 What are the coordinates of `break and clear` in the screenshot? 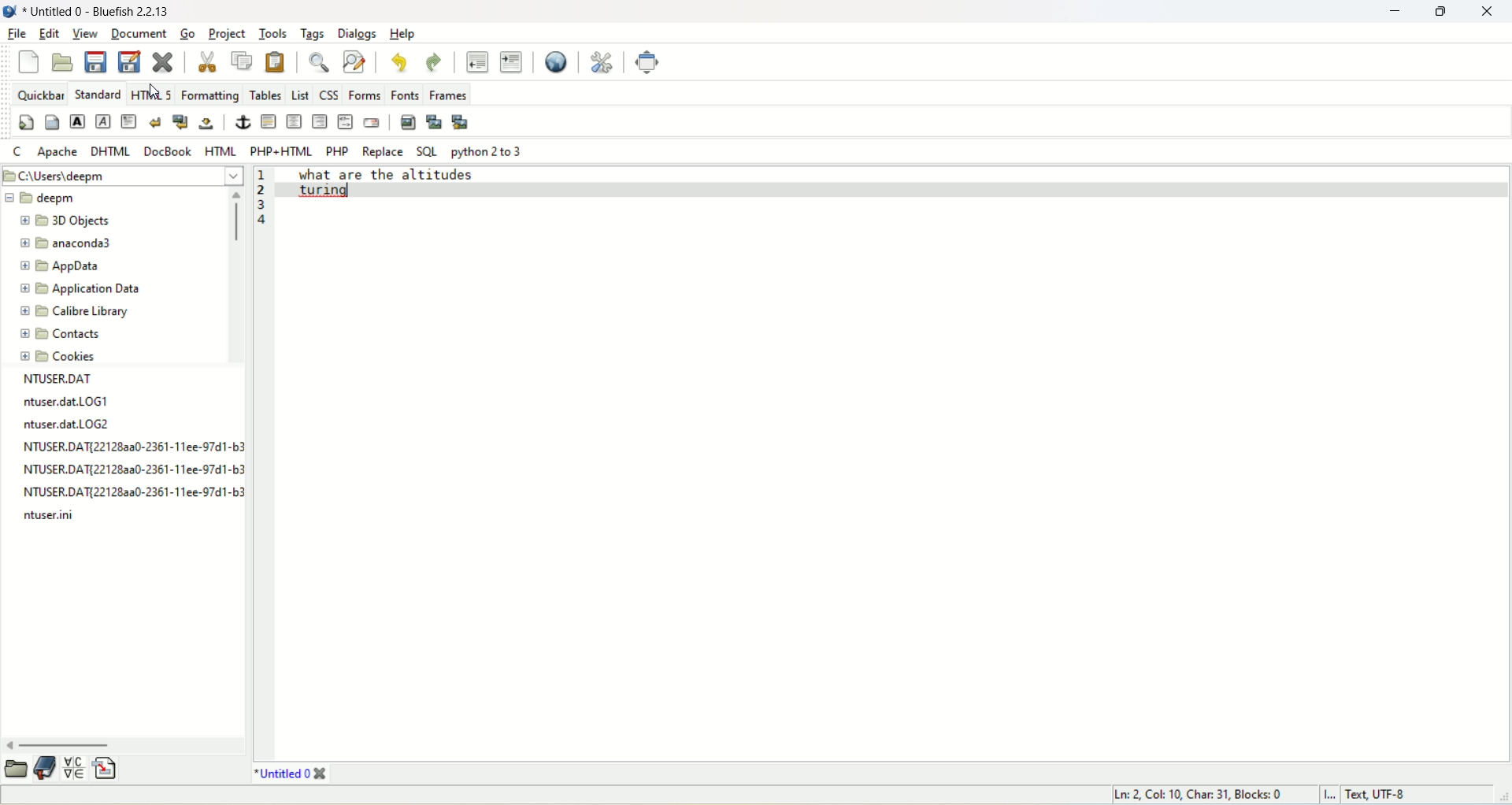 It's located at (181, 121).